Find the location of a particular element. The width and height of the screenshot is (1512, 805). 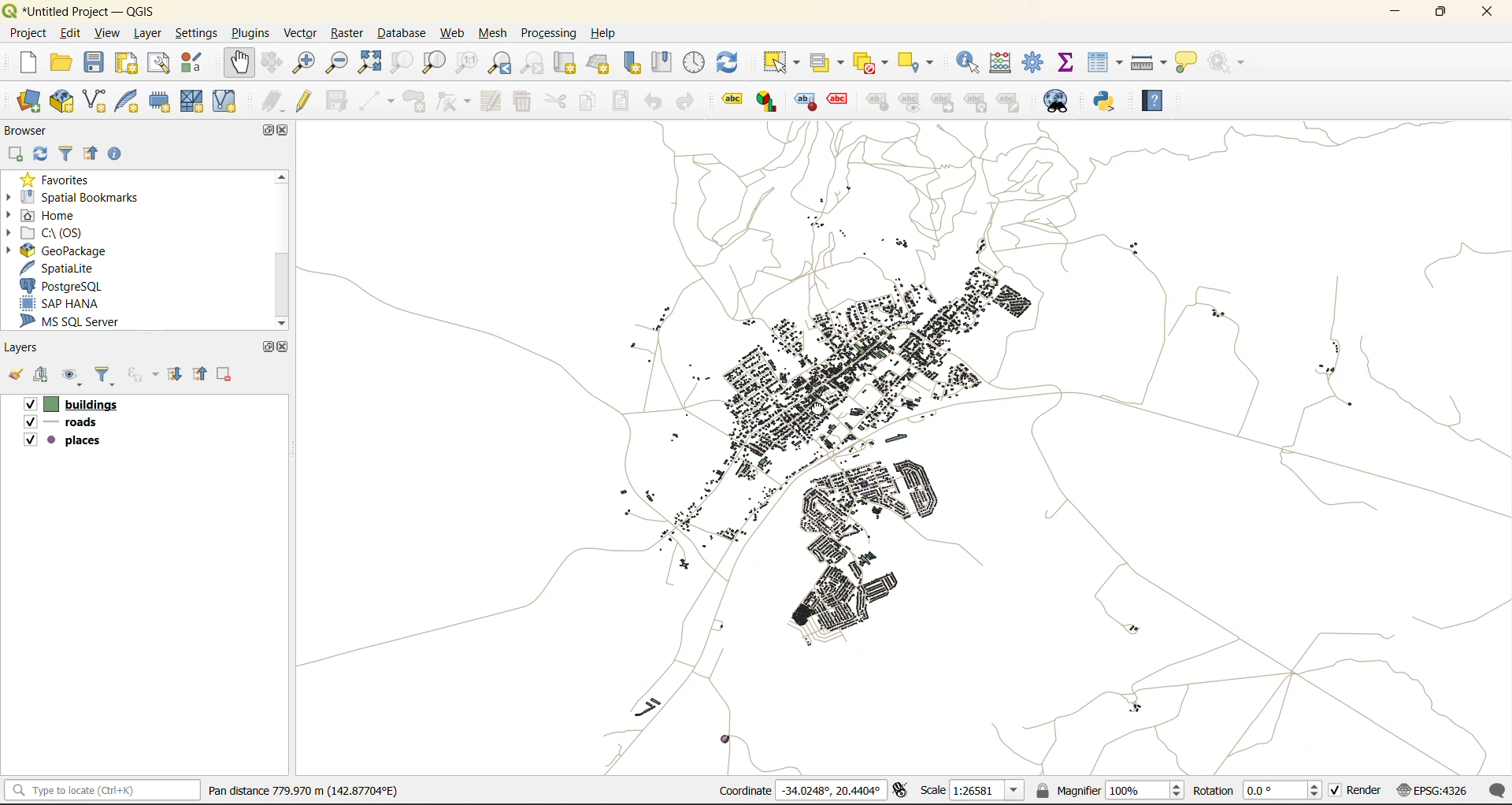

filter by expression is located at coordinates (145, 376).